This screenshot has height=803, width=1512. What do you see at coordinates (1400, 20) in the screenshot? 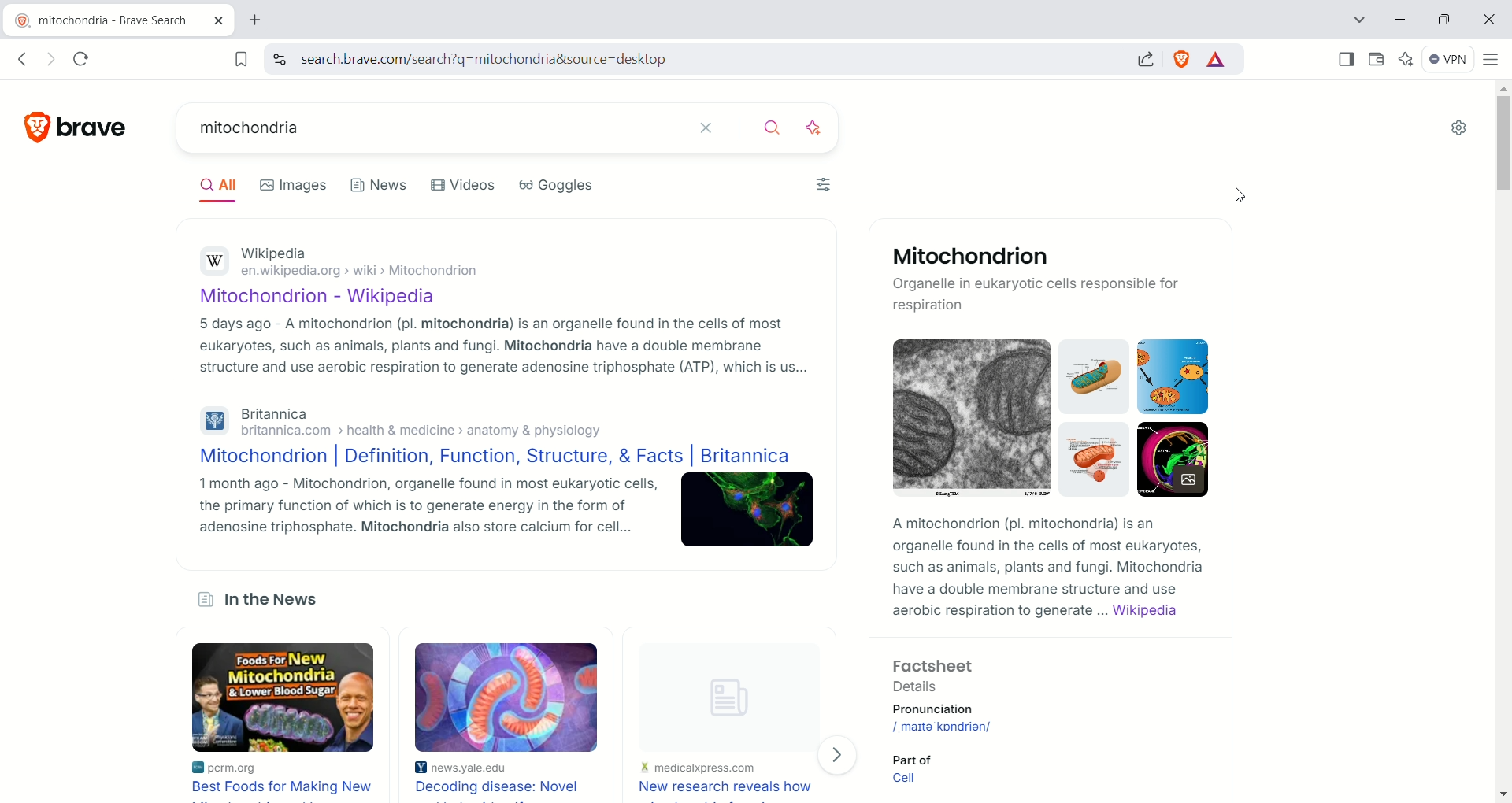
I see `minimize` at bounding box center [1400, 20].